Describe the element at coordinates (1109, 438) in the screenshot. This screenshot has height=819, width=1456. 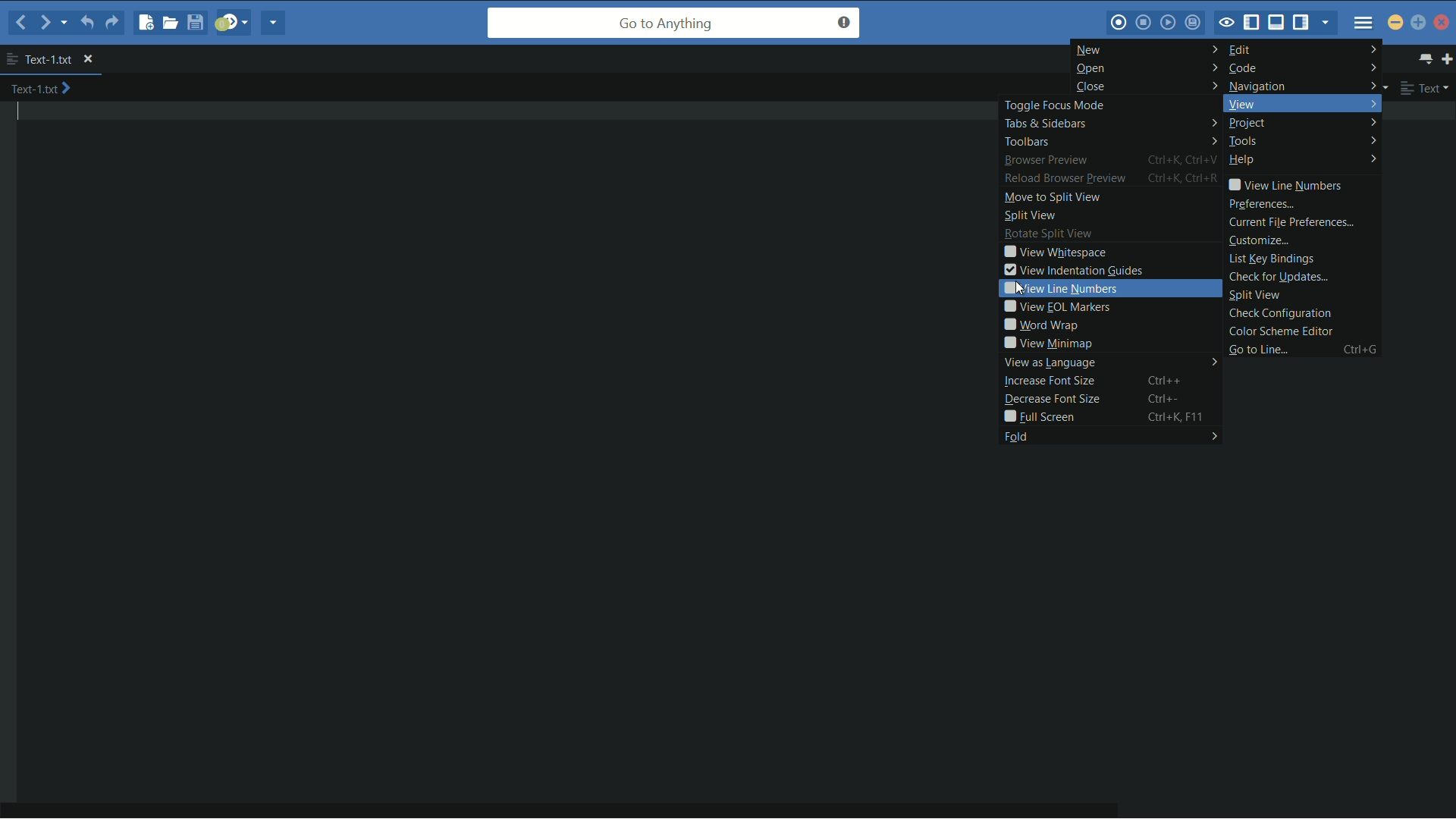
I see `fold` at that location.